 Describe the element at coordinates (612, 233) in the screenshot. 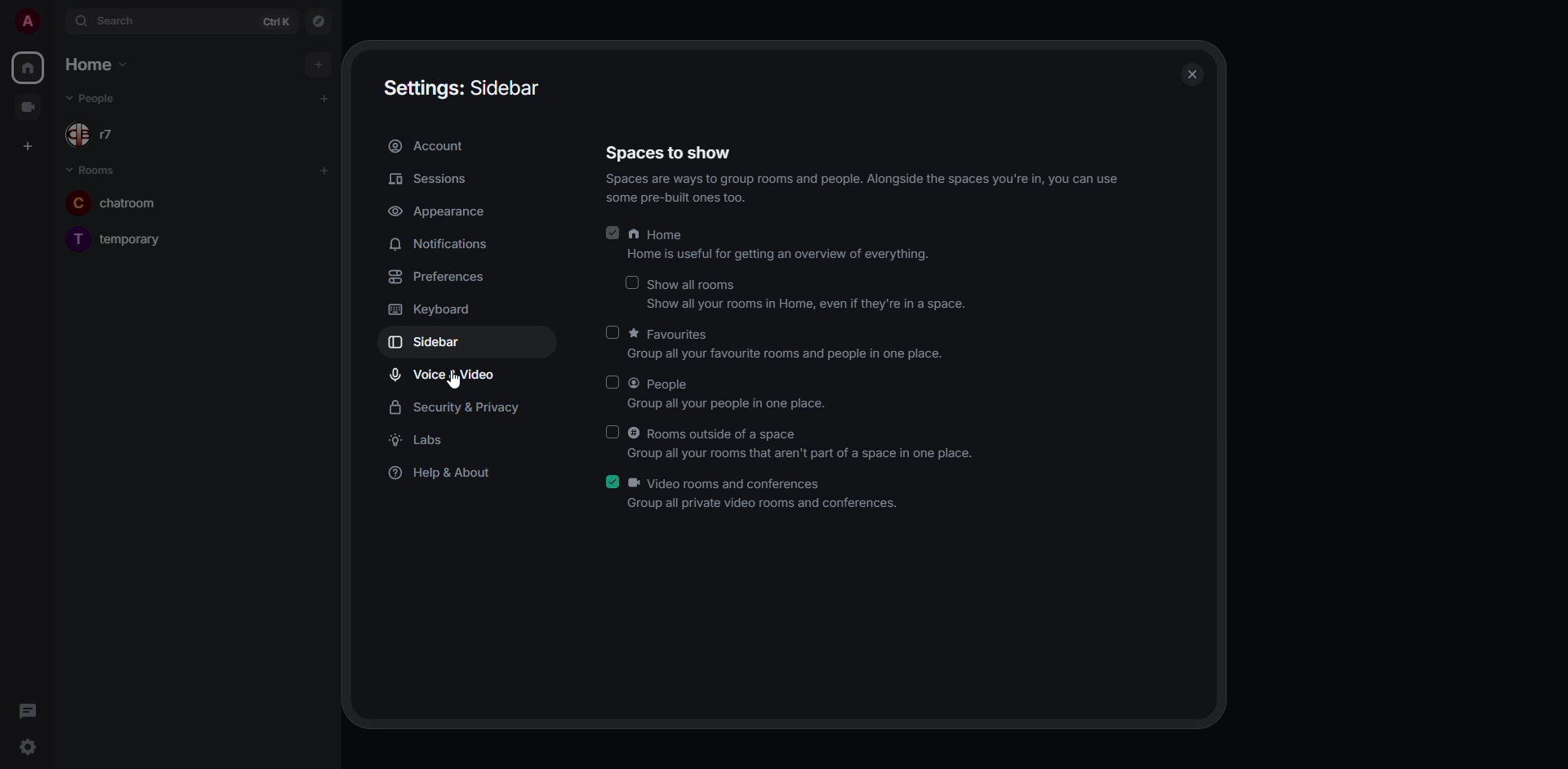

I see `enabled` at that location.